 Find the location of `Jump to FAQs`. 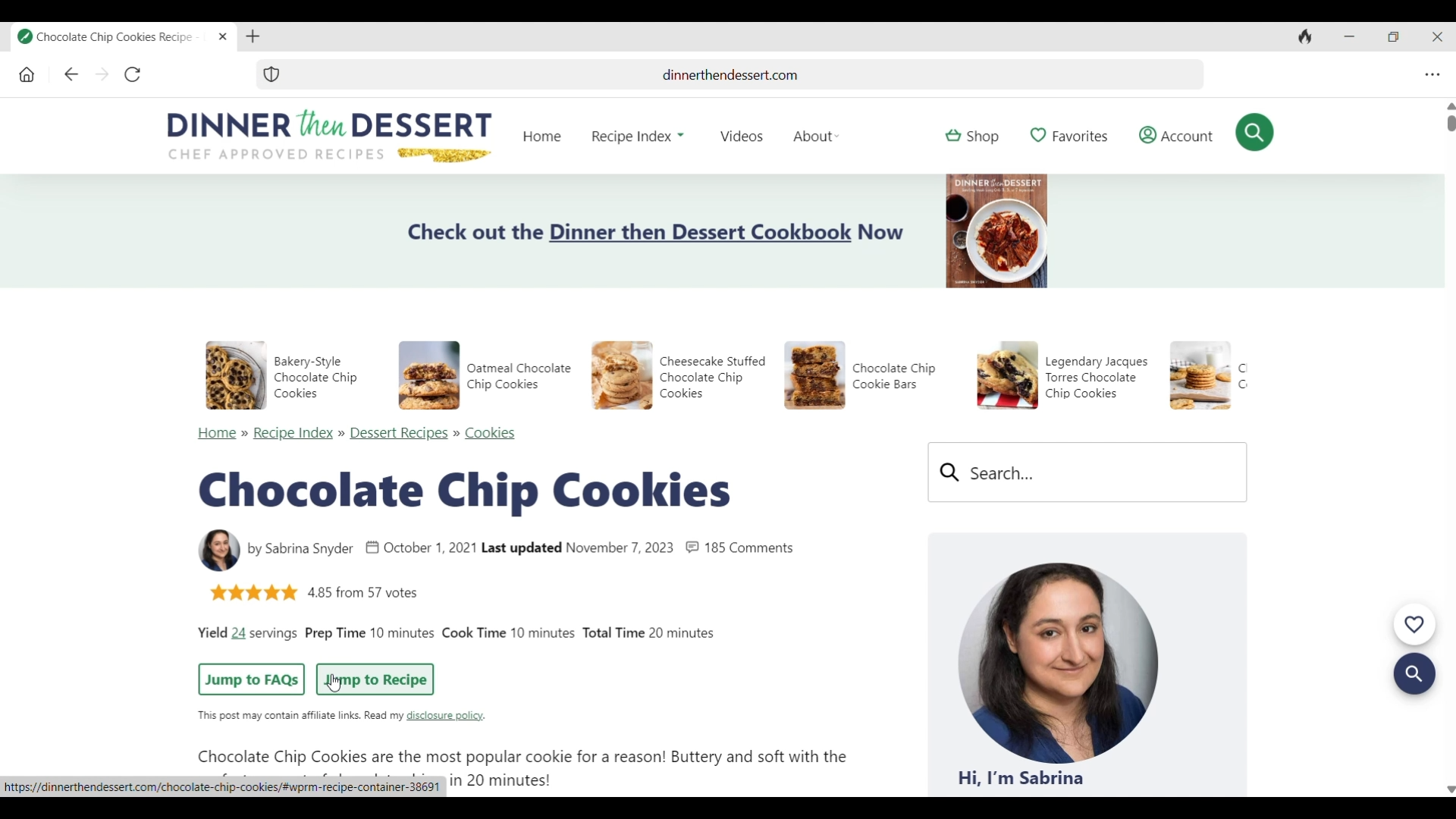

Jump to FAQs is located at coordinates (250, 679).